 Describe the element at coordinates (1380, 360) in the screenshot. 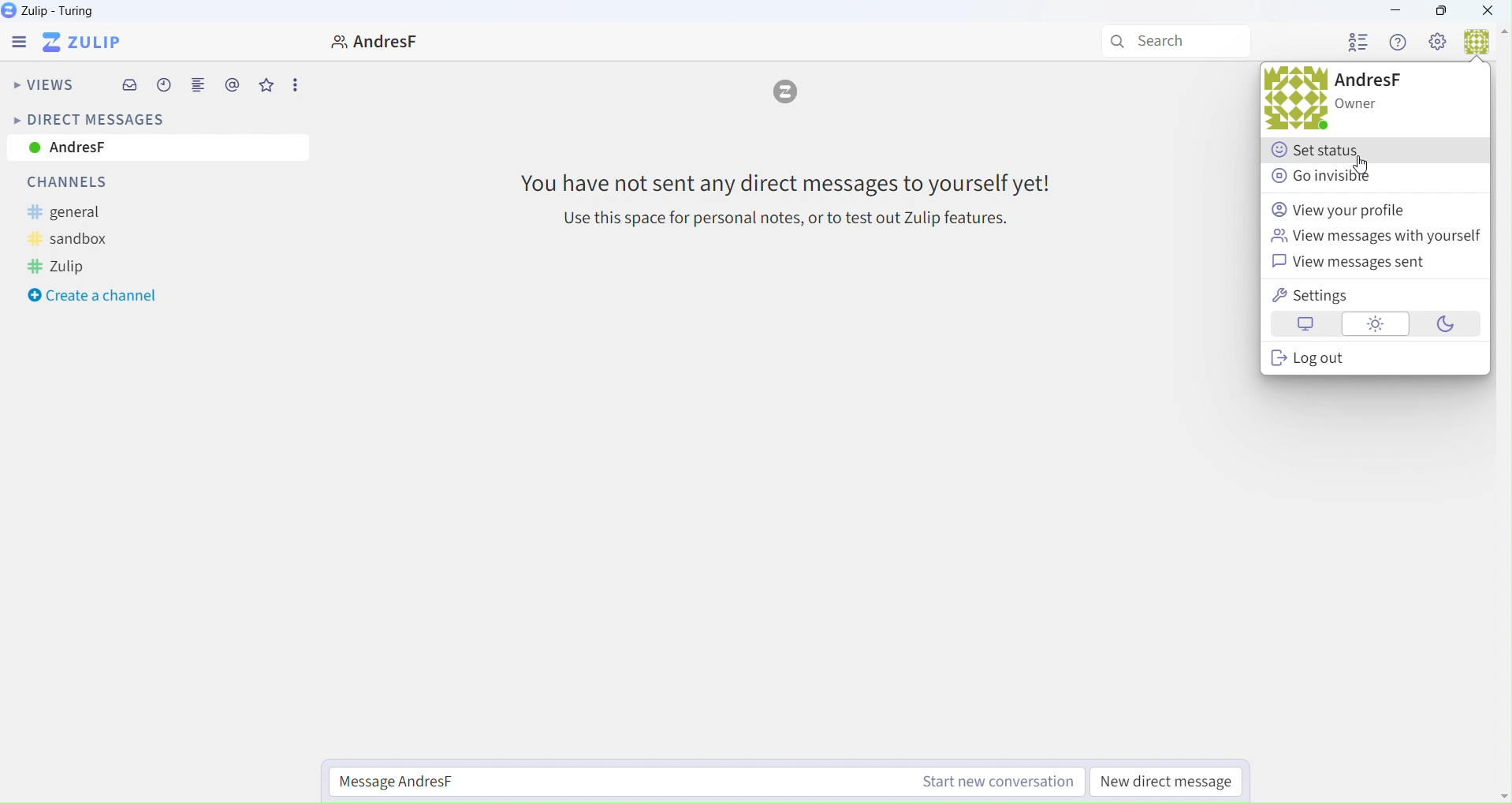

I see `:Log Out` at that location.